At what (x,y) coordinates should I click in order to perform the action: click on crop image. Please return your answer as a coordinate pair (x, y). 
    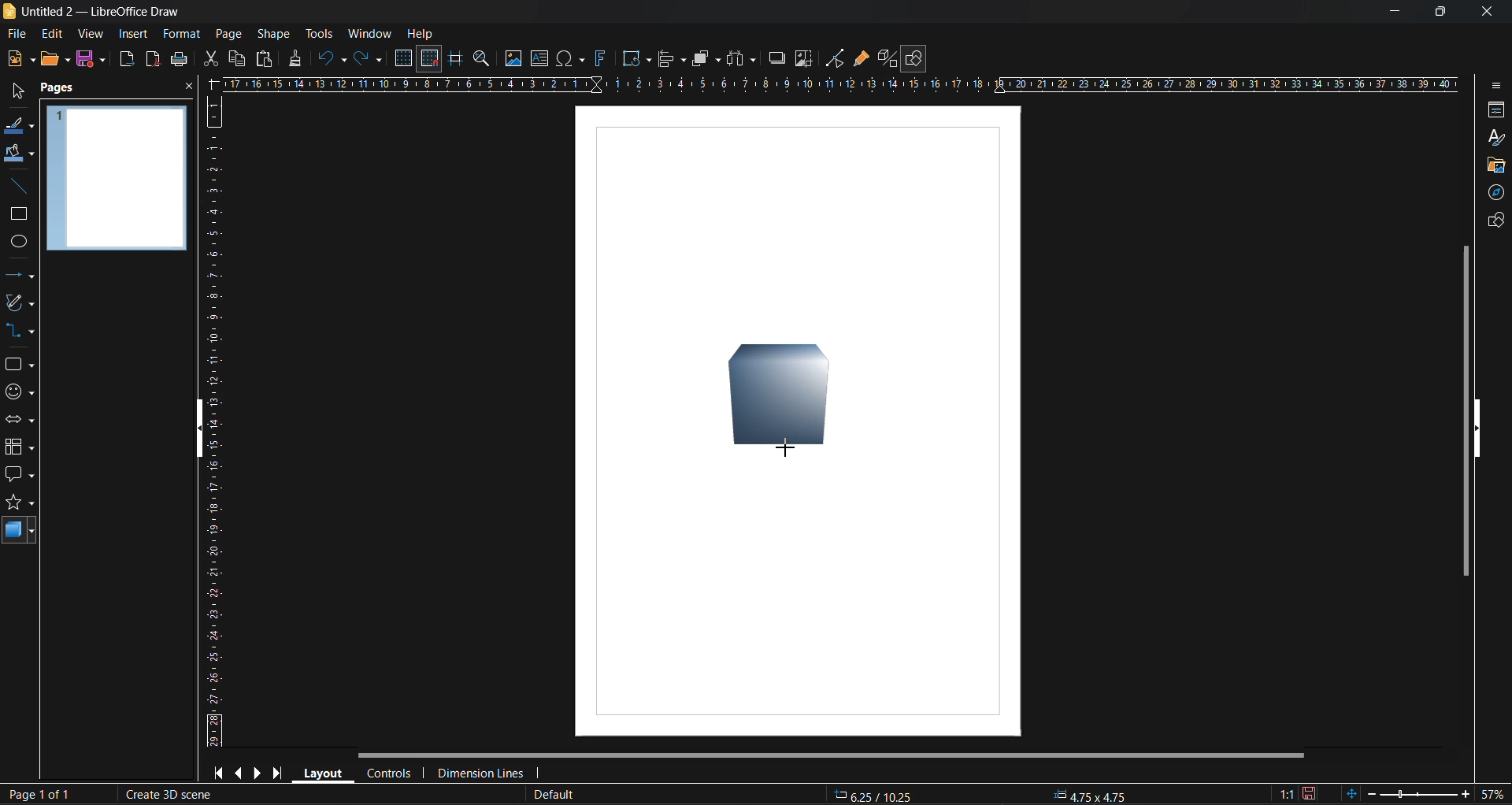
    Looking at the image, I should click on (804, 61).